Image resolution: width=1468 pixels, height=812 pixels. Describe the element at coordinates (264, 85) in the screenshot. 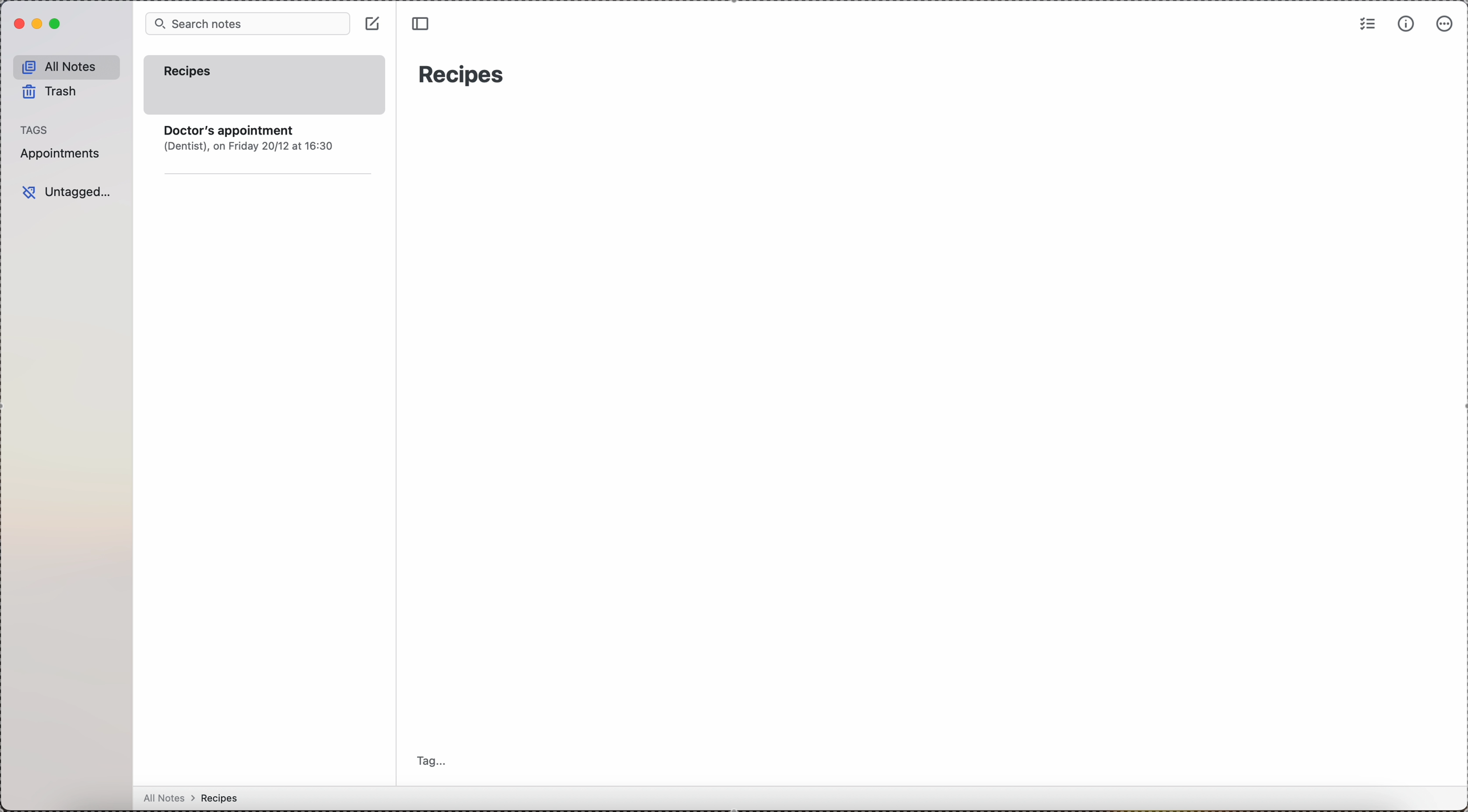

I see `recipes note` at that location.